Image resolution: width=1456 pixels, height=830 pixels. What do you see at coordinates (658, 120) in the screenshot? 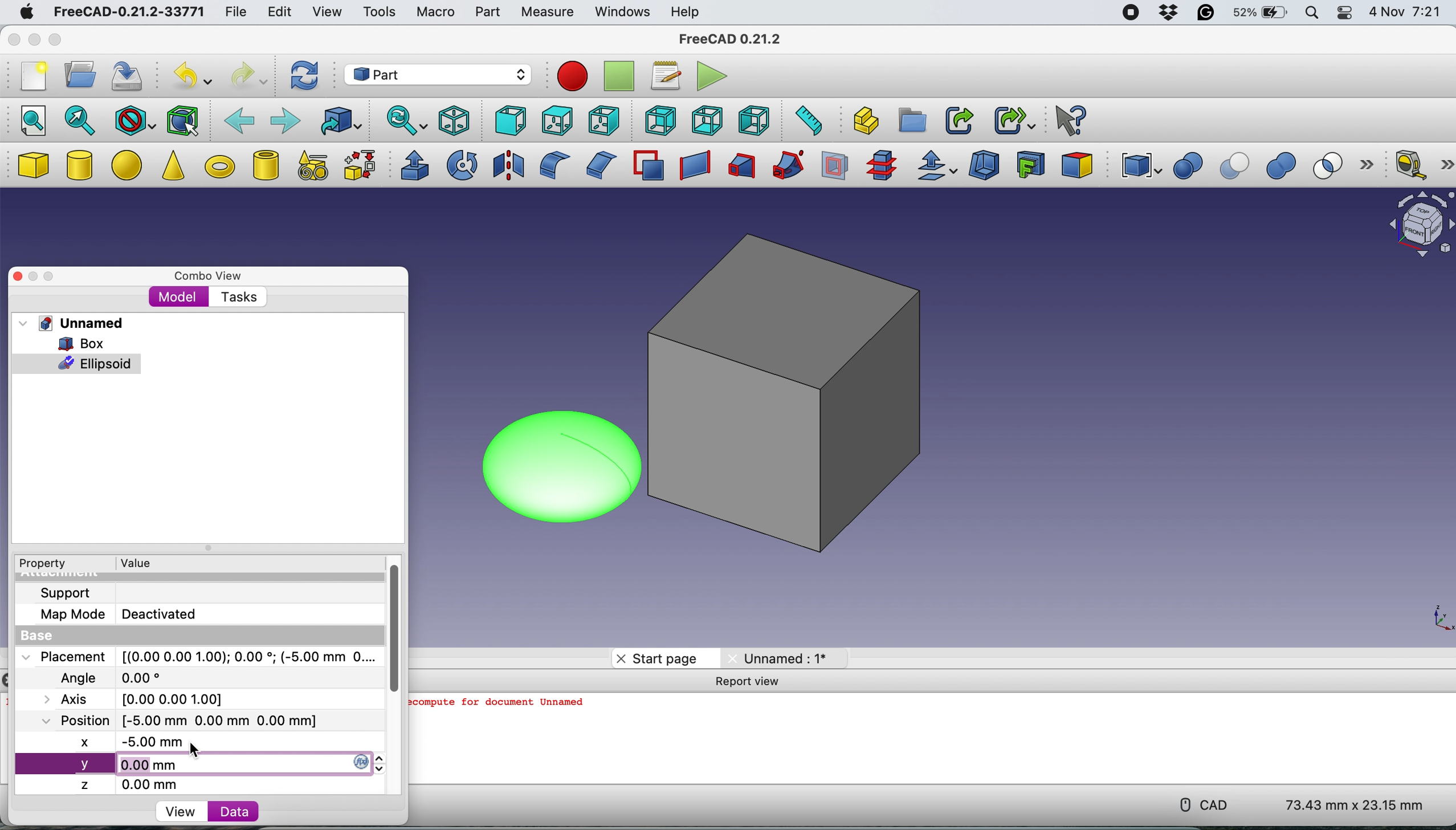
I see `rear` at bounding box center [658, 120].